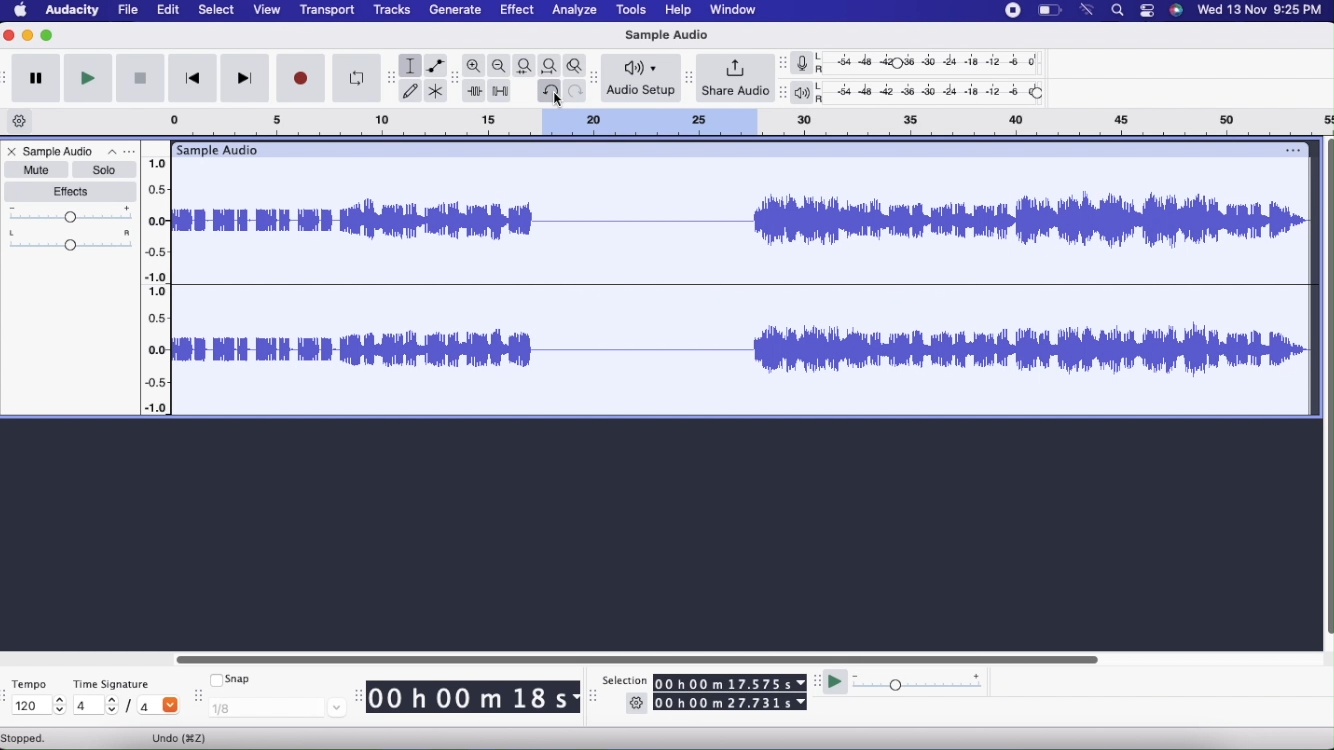 Image resolution: width=1334 pixels, height=750 pixels. What do you see at coordinates (1176, 10) in the screenshot?
I see `icon` at bounding box center [1176, 10].